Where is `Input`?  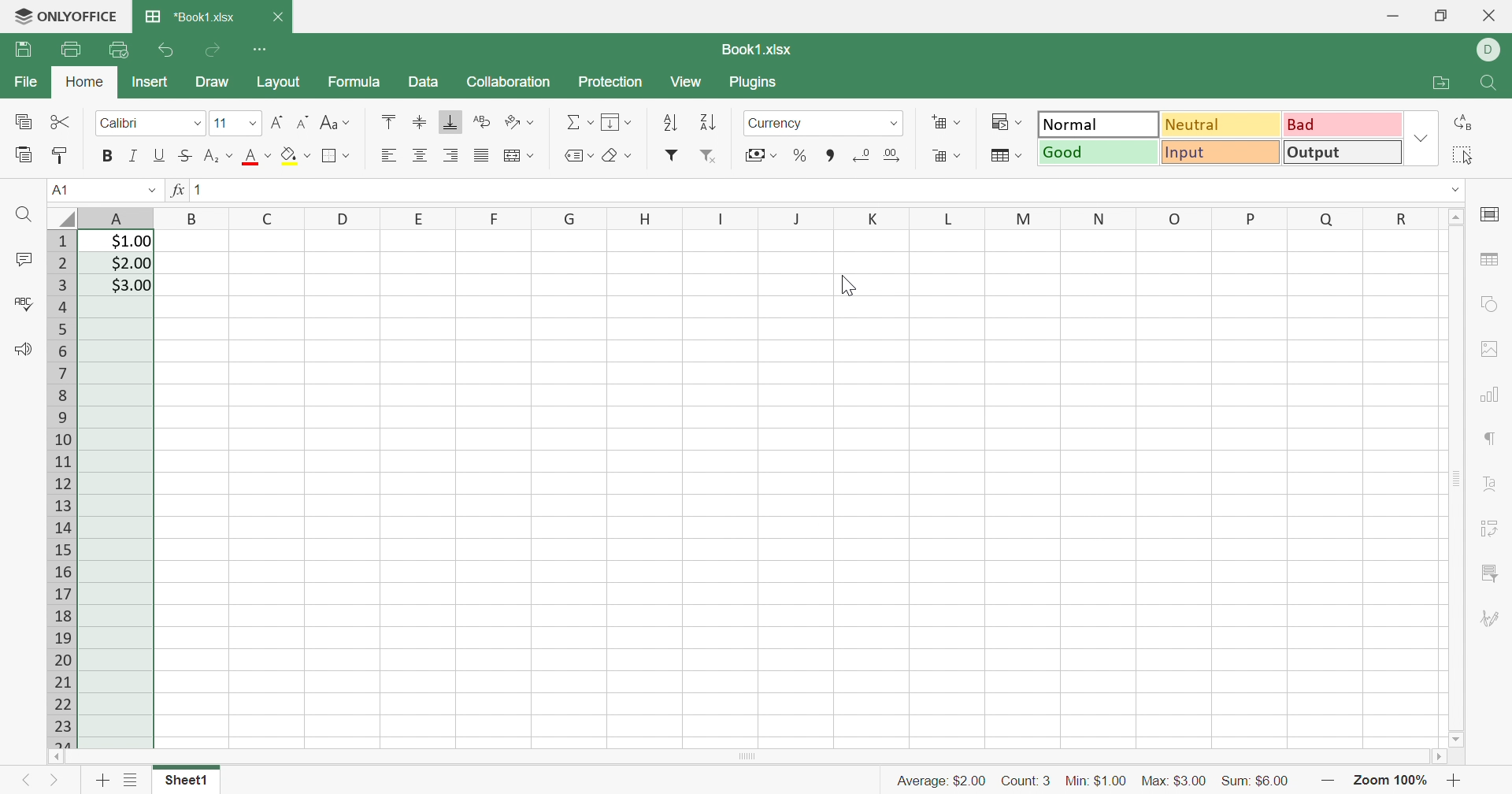 Input is located at coordinates (1221, 152).